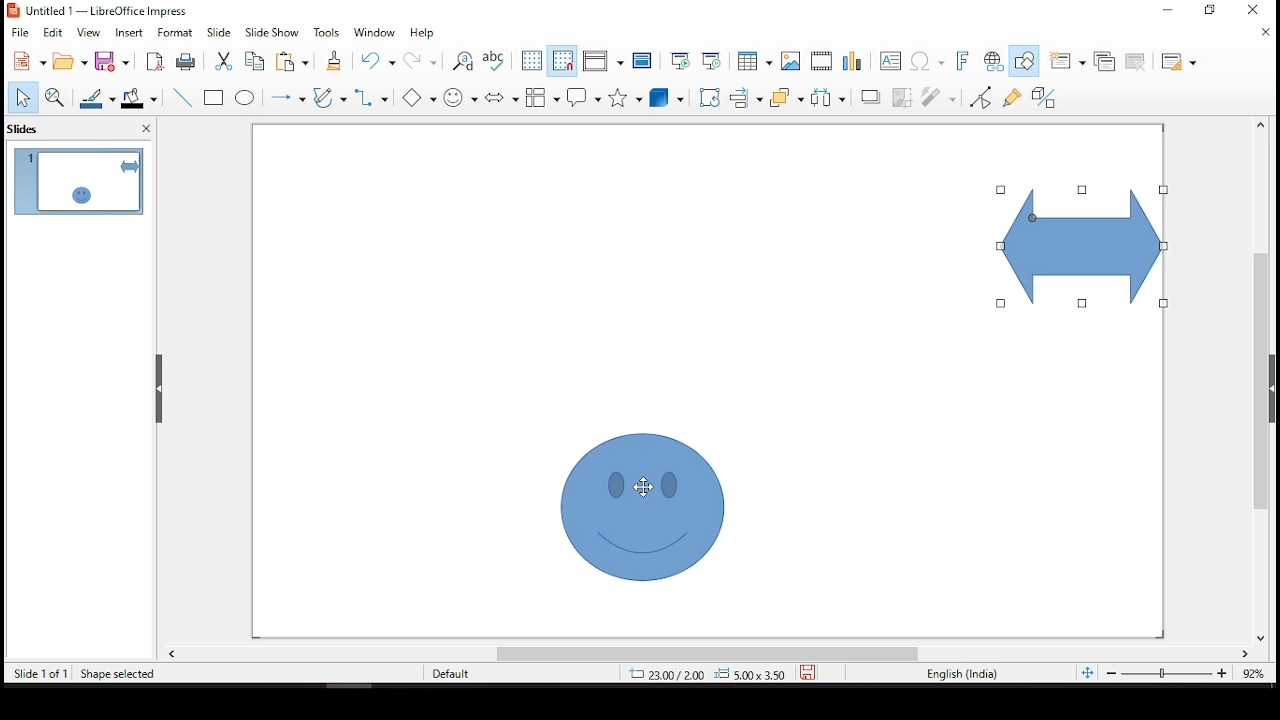 The height and width of the screenshot is (720, 1280). Describe the element at coordinates (457, 673) in the screenshot. I see `default` at that location.